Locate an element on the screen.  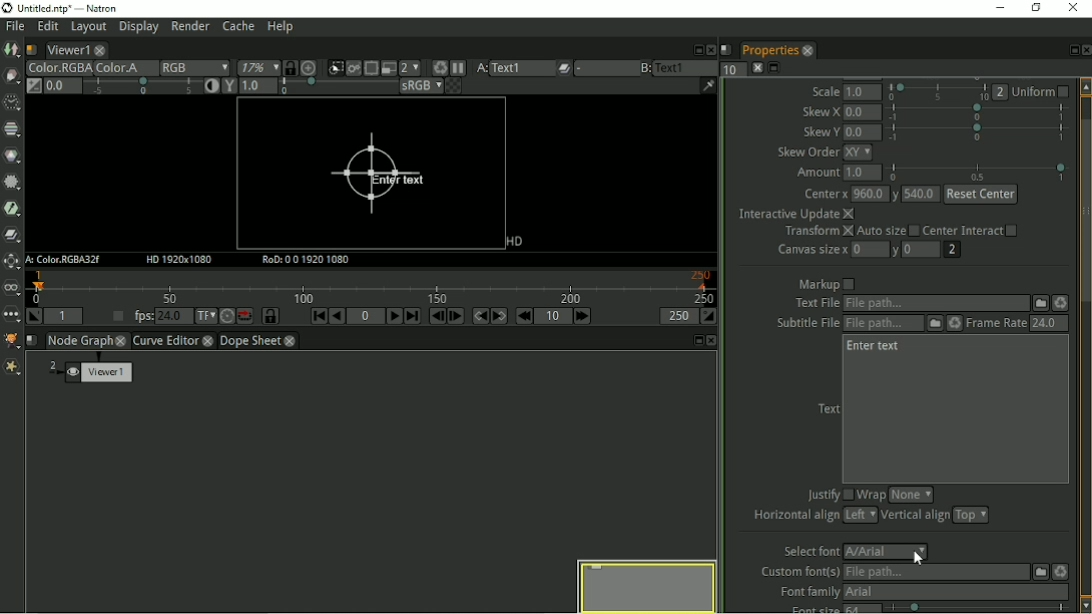
0.0 is located at coordinates (862, 112).